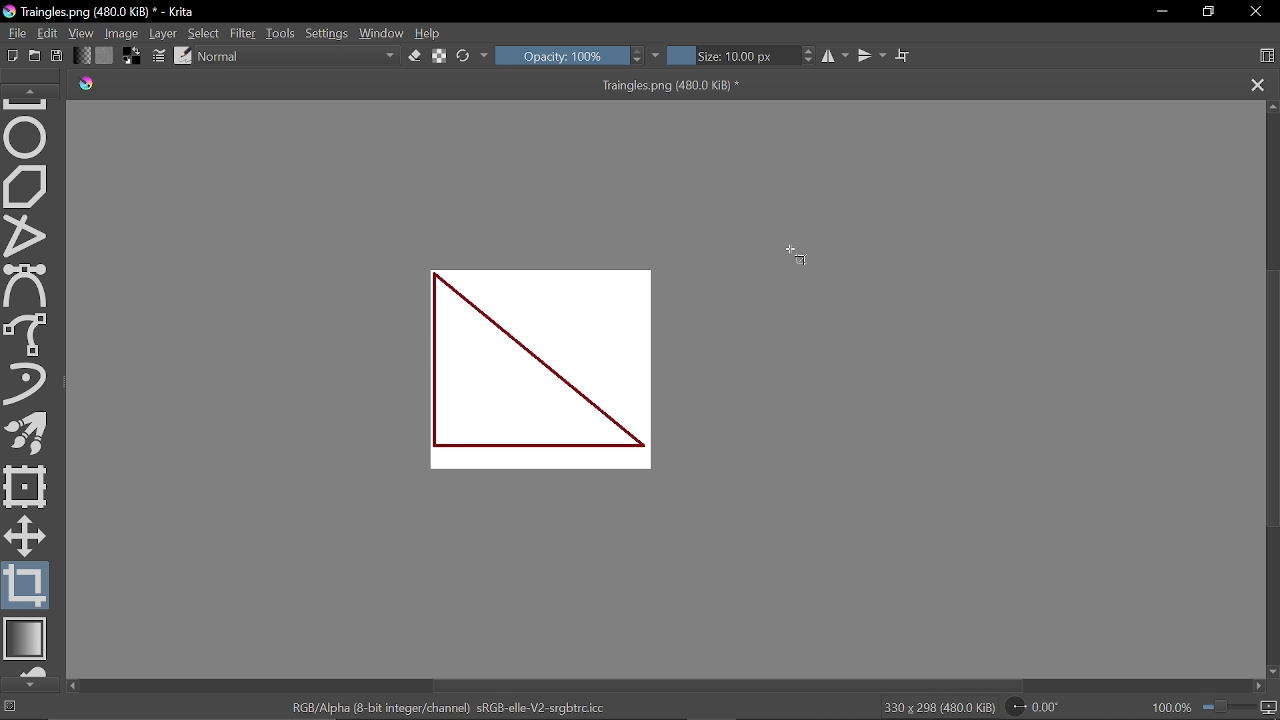 The height and width of the screenshot is (720, 1280). I want to click on Help, so click(430, 34).